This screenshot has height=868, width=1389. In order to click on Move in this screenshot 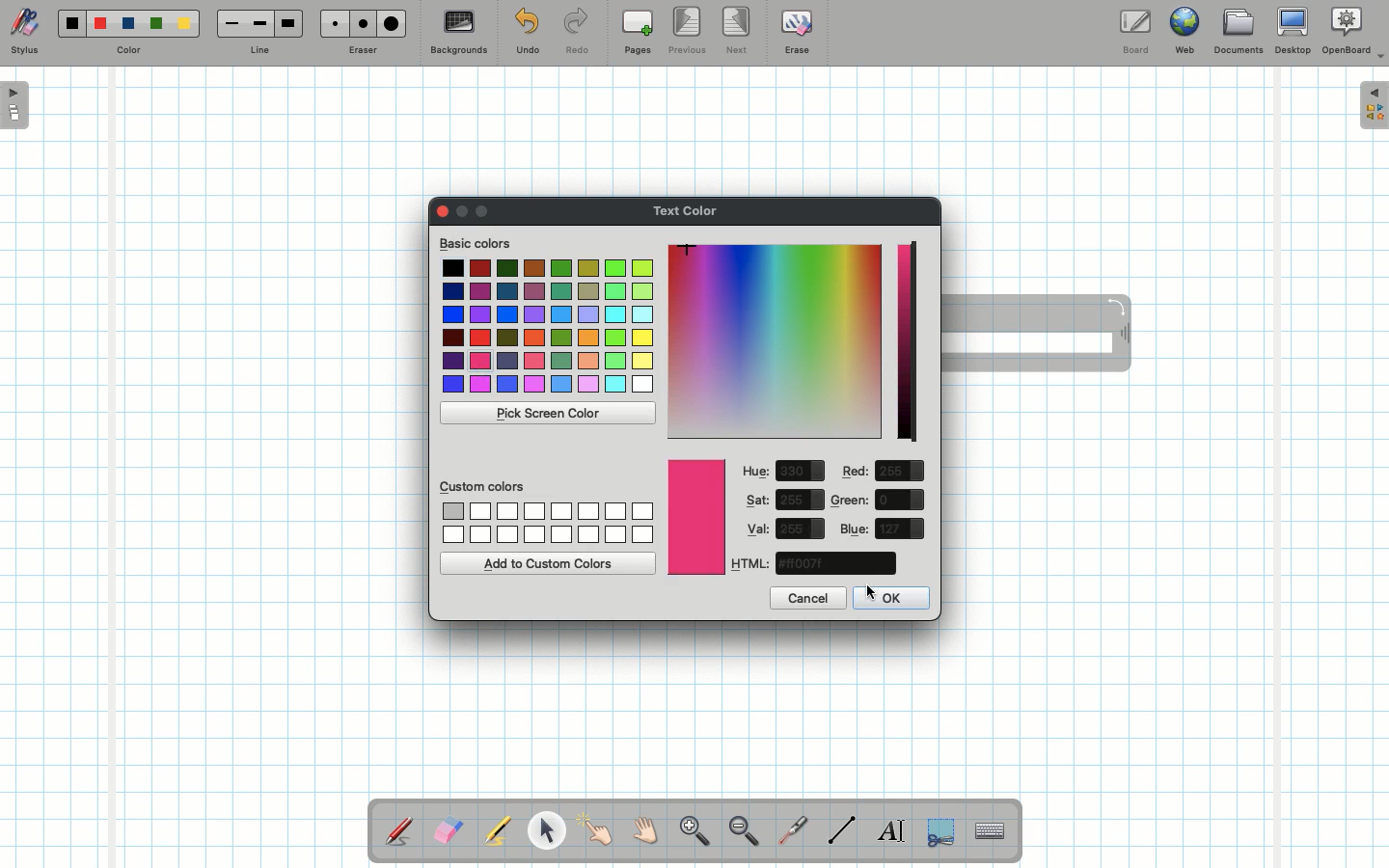, I will do `click(1123, 336)`.